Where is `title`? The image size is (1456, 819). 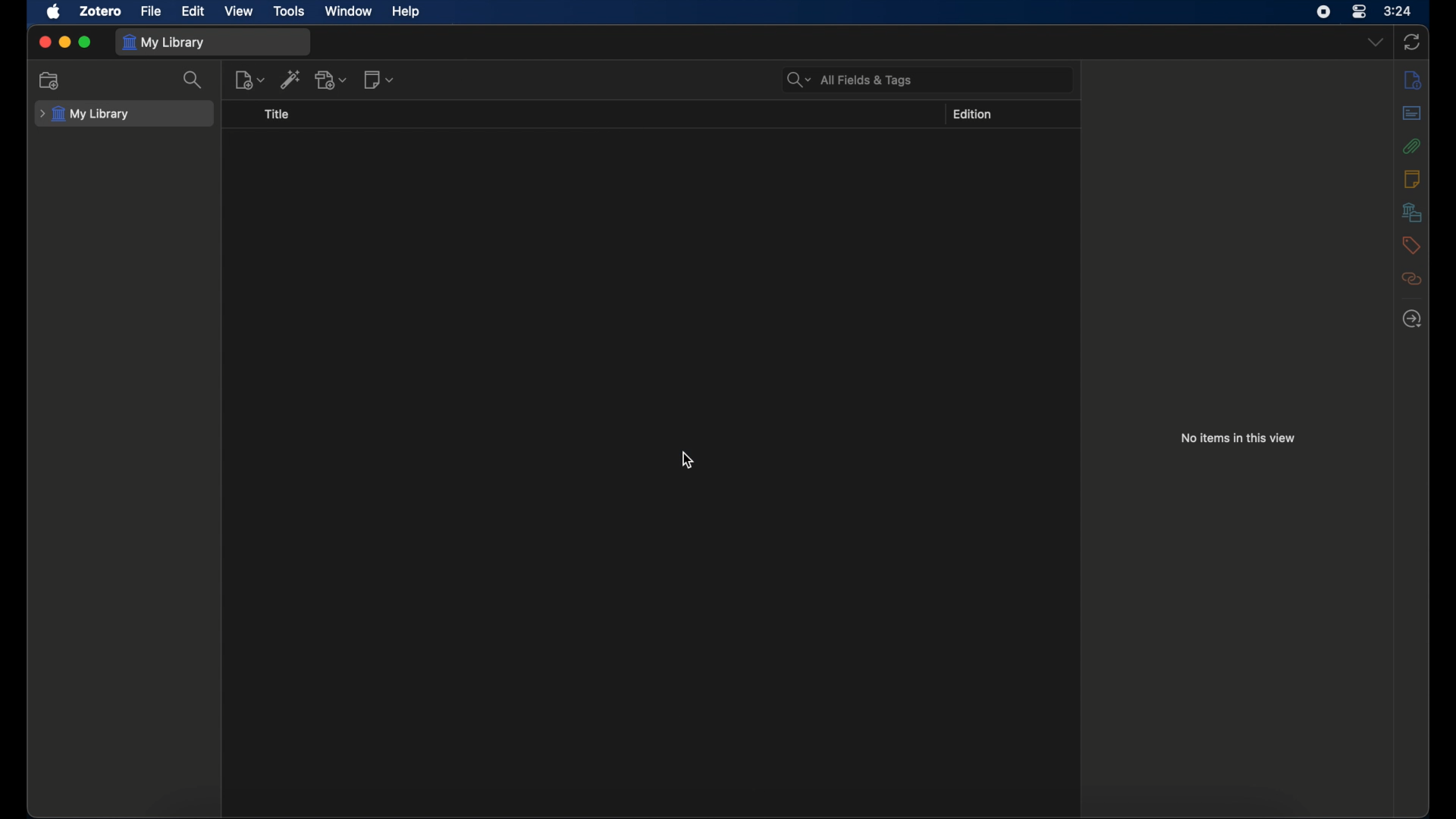
title is located at coordinates (277, 115).